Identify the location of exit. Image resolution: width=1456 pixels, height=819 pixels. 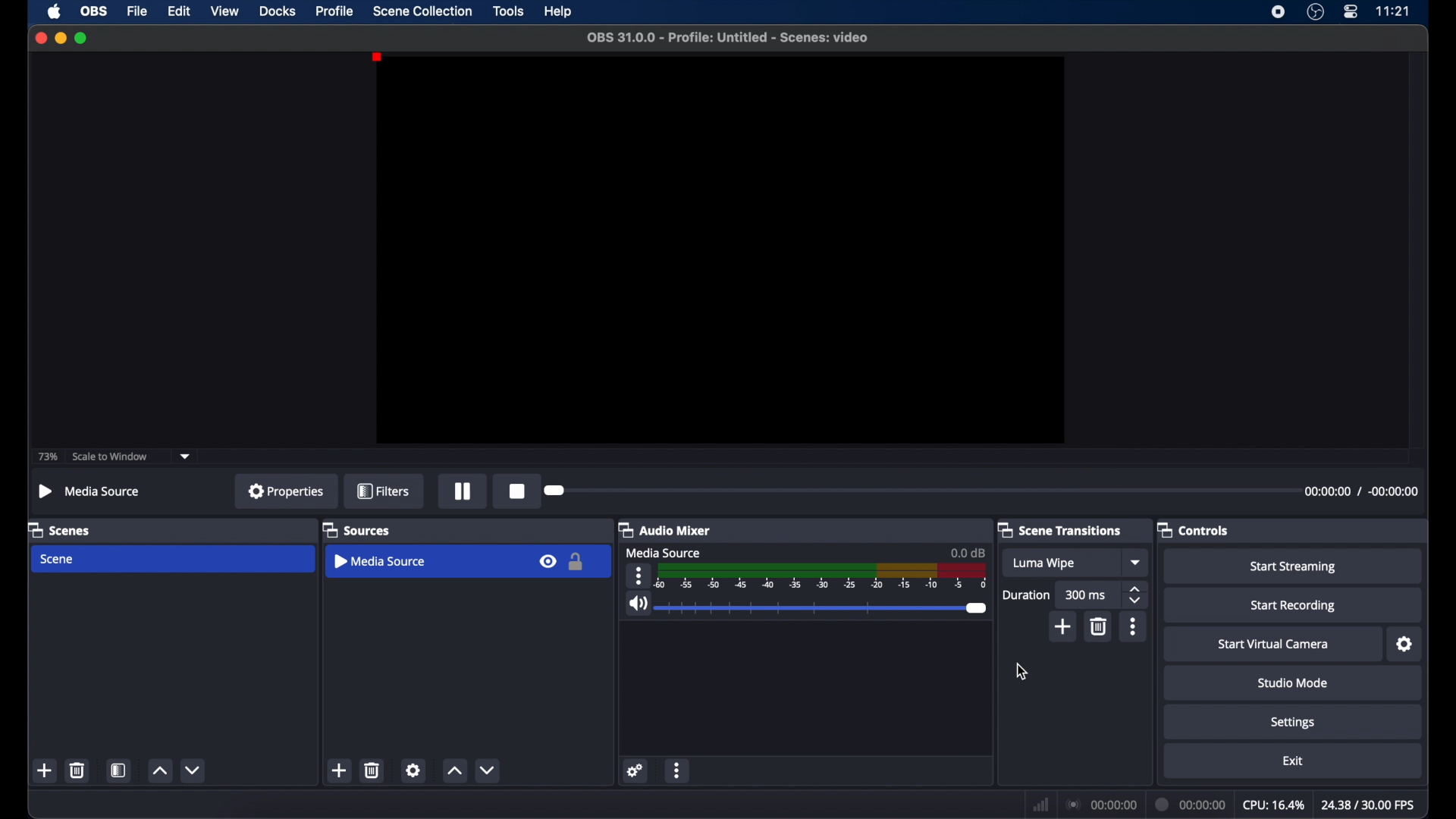
(1293, 761).